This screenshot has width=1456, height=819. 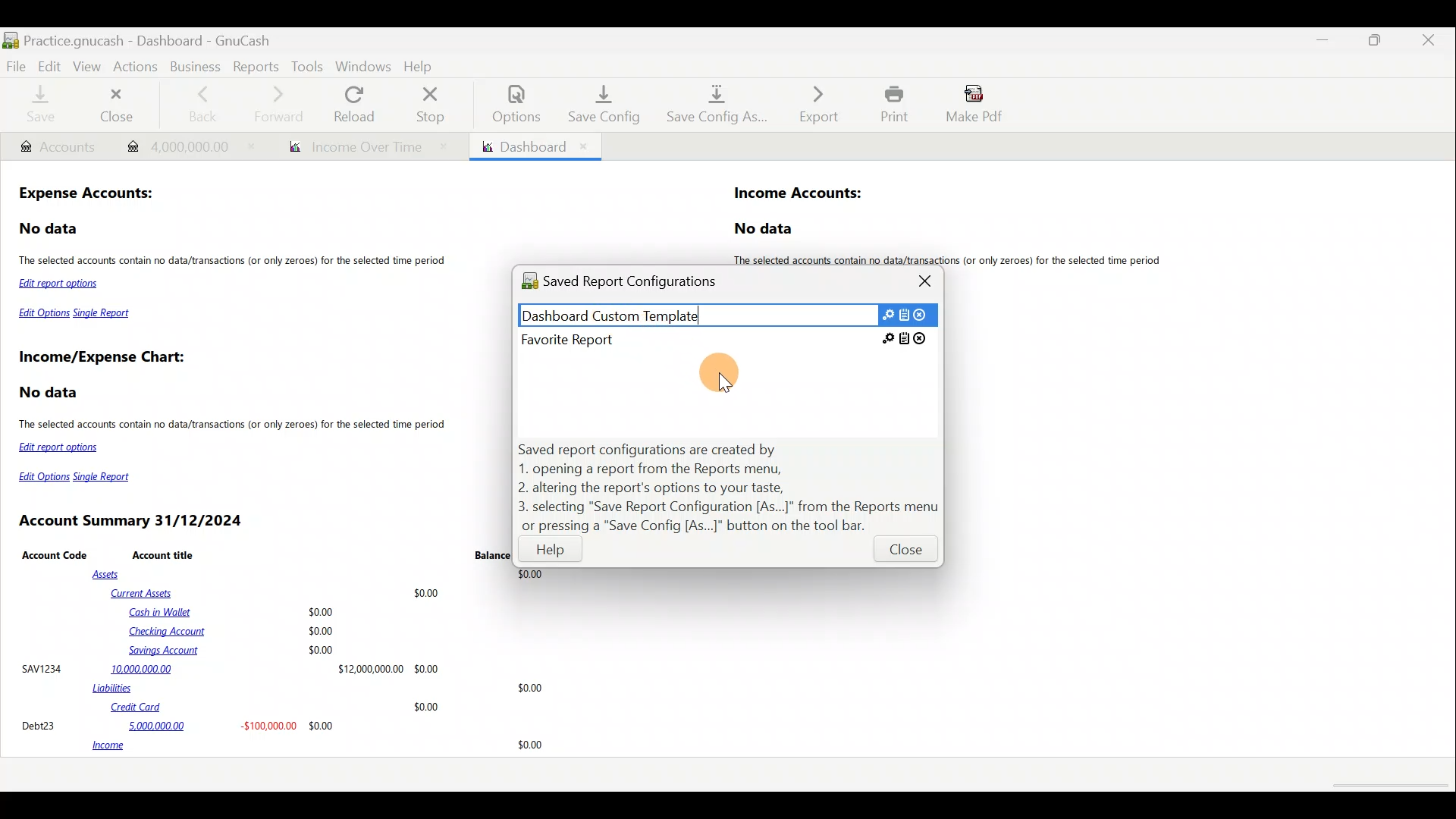 I want to click on Expense Accounts:, so click(x=88, y=195).